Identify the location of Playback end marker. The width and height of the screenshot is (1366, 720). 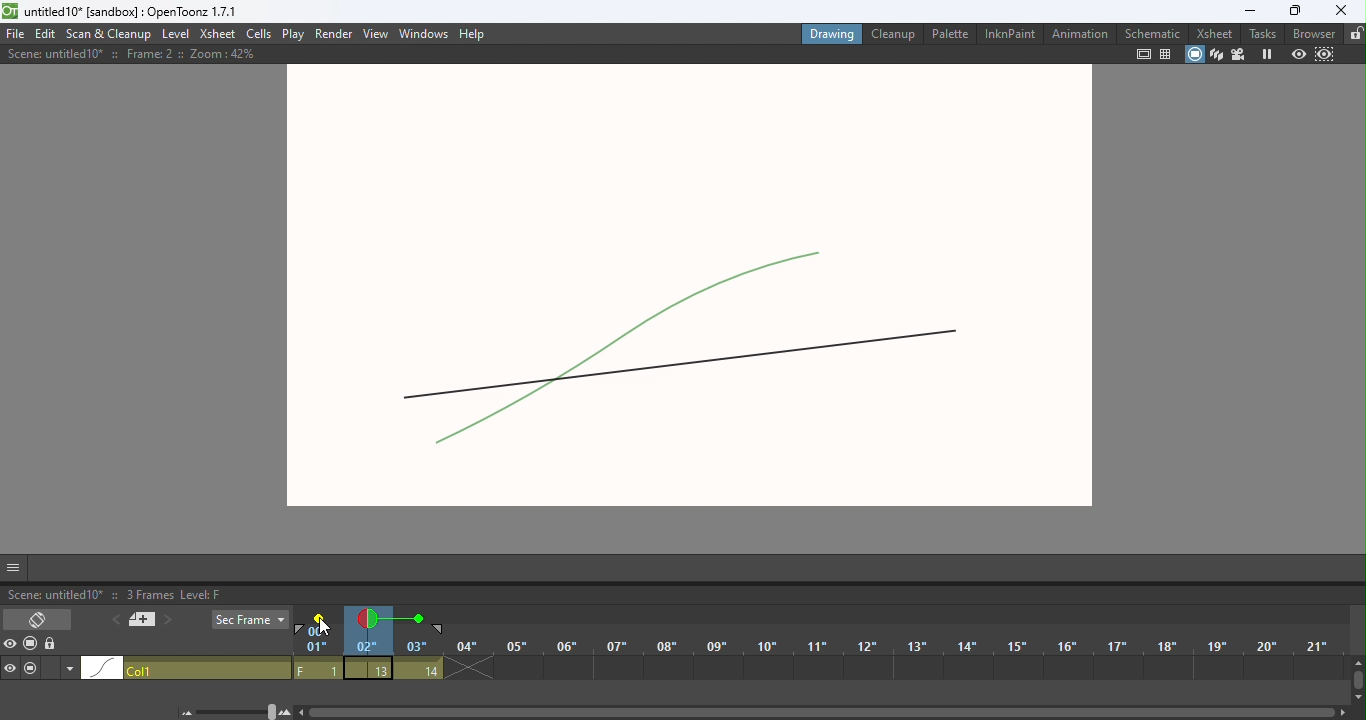
(440, 630).